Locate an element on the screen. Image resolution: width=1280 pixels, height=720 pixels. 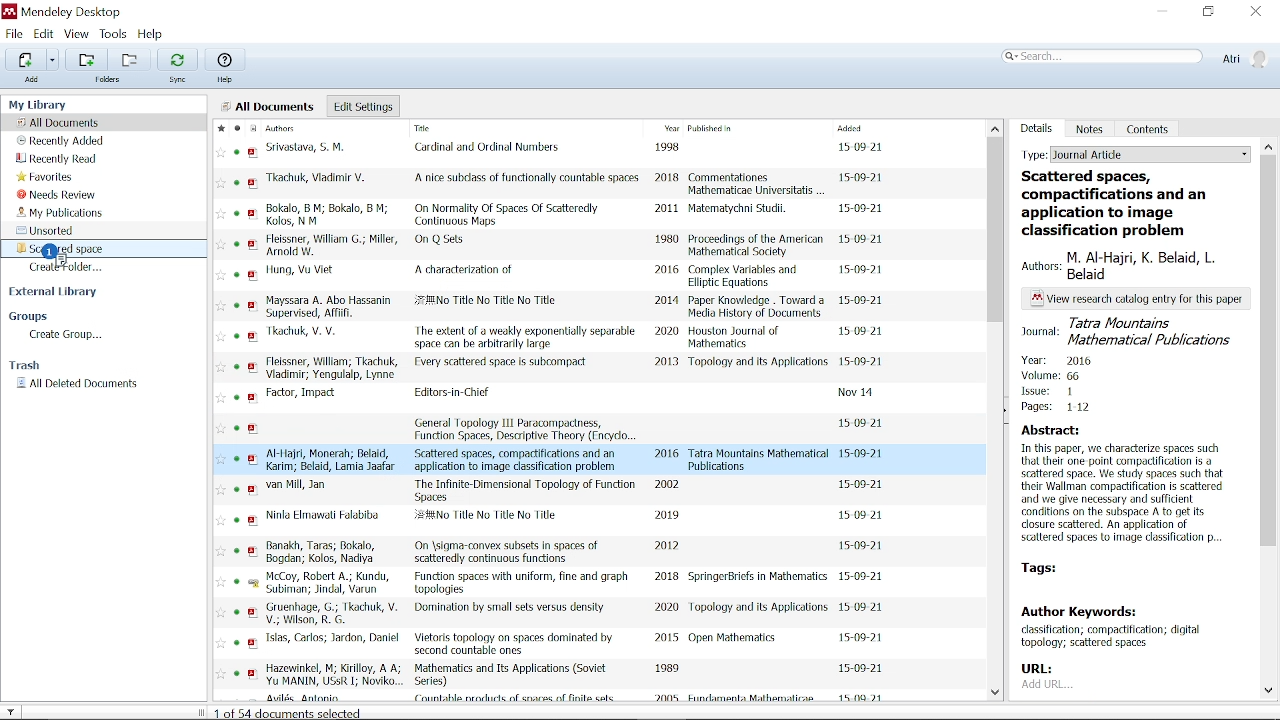
PDF is located at coordinates (253, 417).